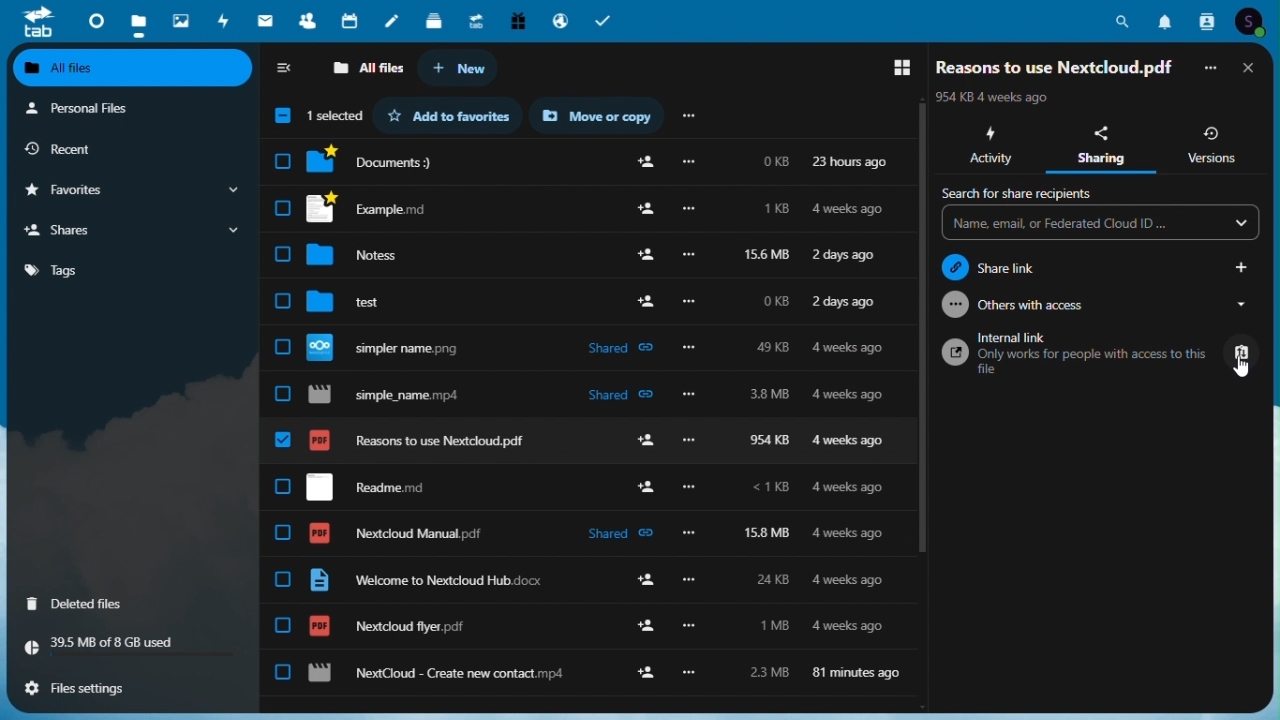 The image size is (1280, 720). I want to click on readme.md, so click(365, 486).